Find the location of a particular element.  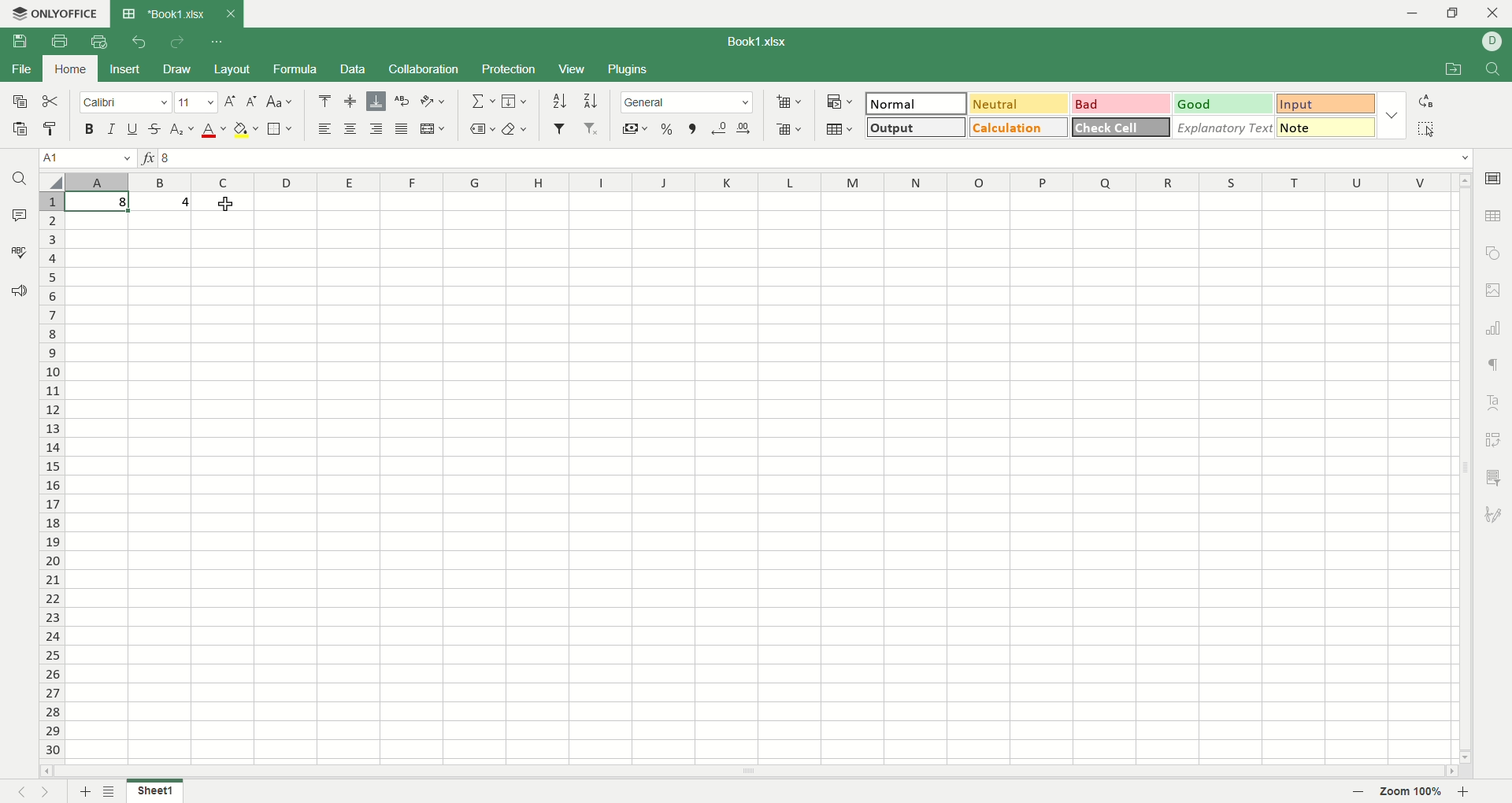

close is located at coordinates (230, 14).